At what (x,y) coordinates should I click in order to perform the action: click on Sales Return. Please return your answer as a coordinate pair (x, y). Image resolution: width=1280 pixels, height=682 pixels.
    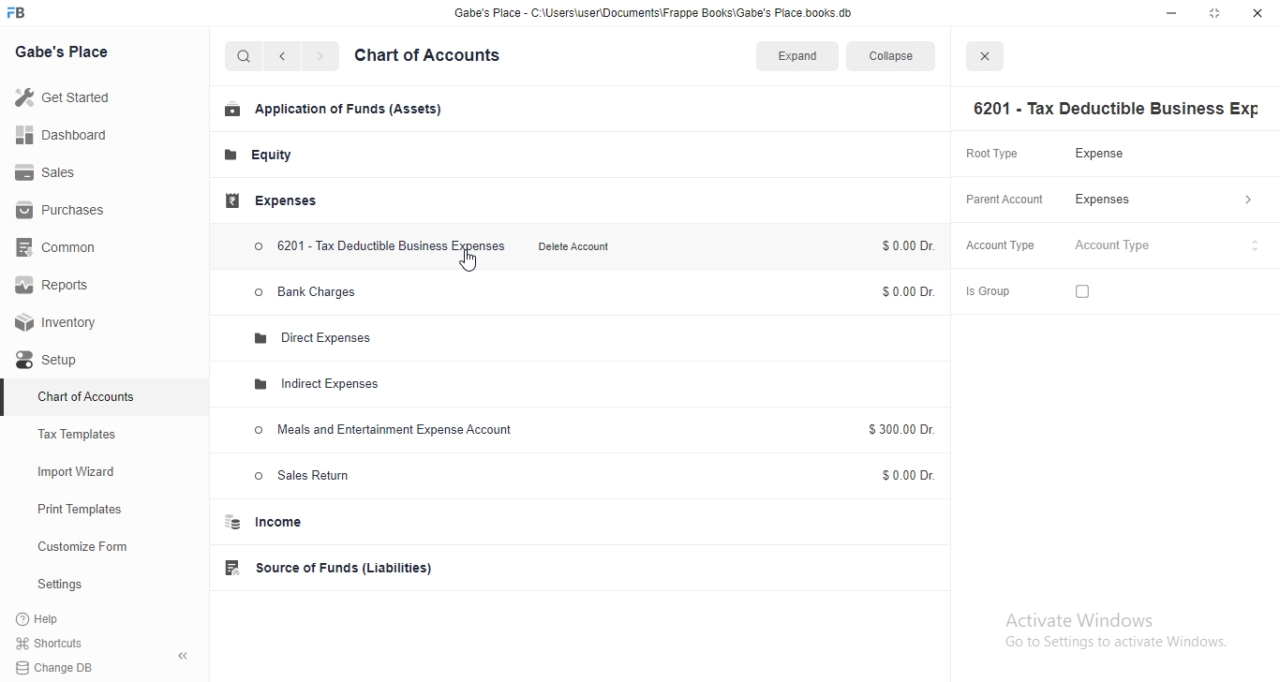
    Looking at the image, I should click on (304, 475).